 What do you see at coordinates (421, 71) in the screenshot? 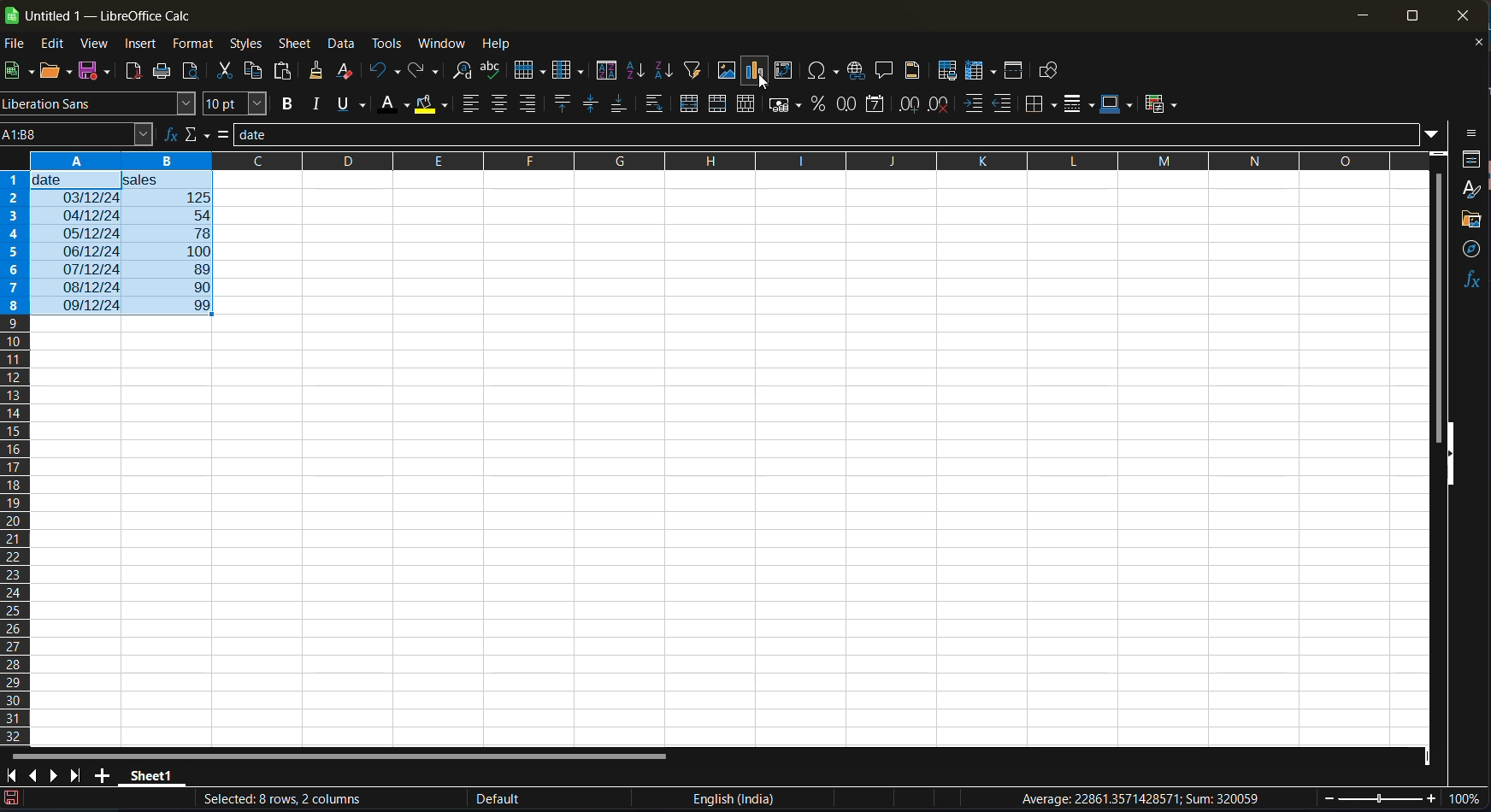
I see `redo` at bounding box center [421, 71].